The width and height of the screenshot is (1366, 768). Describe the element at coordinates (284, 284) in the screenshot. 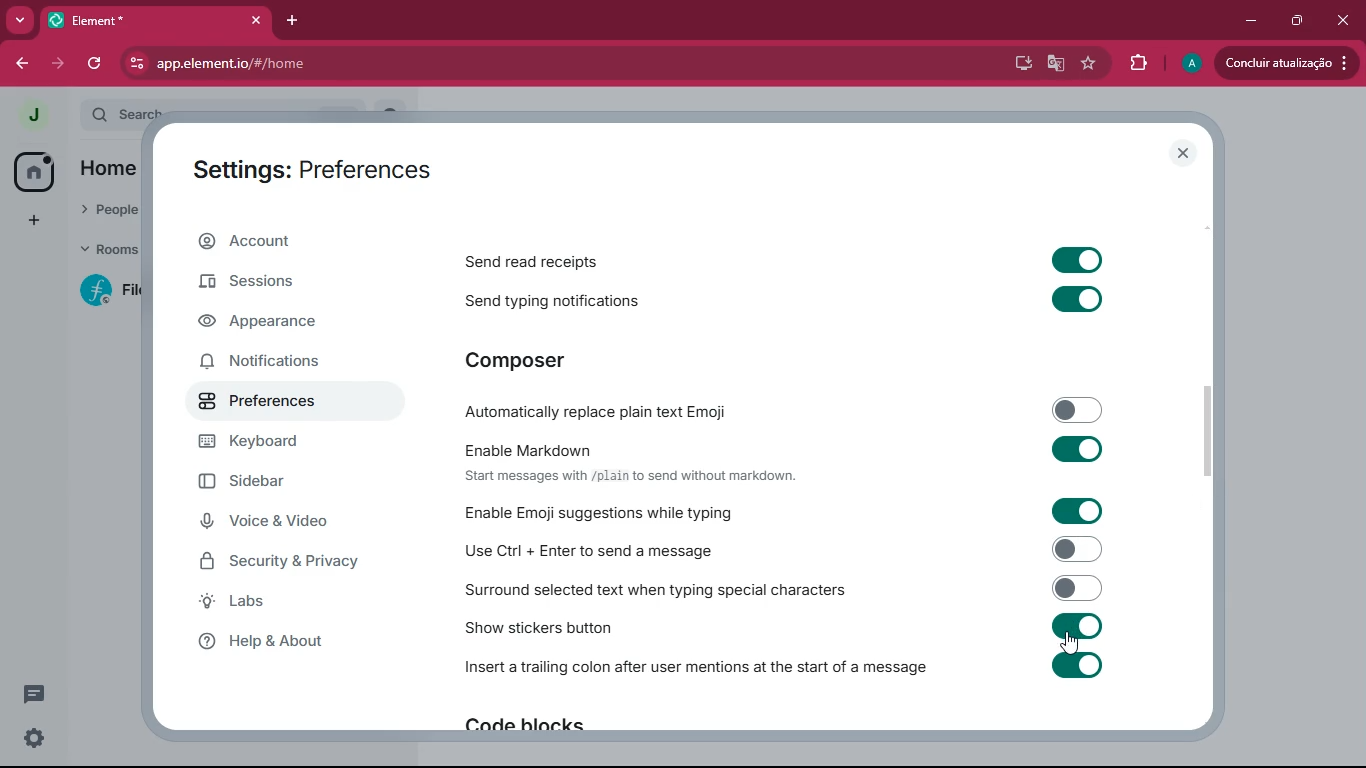

I see `sessions` at that location.